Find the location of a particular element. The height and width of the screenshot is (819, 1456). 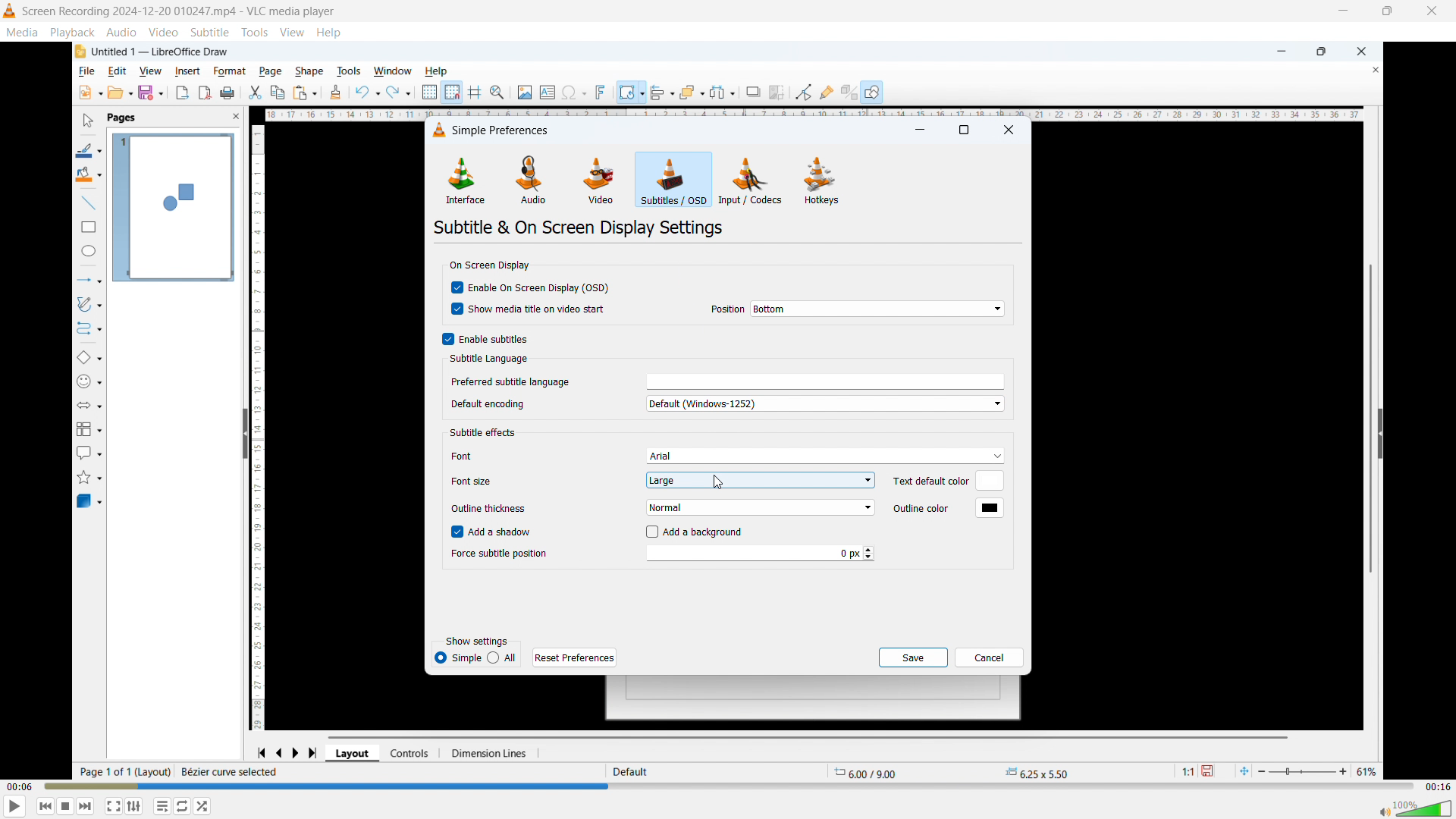

Forward or next media  is located at coordinates (85, 807).